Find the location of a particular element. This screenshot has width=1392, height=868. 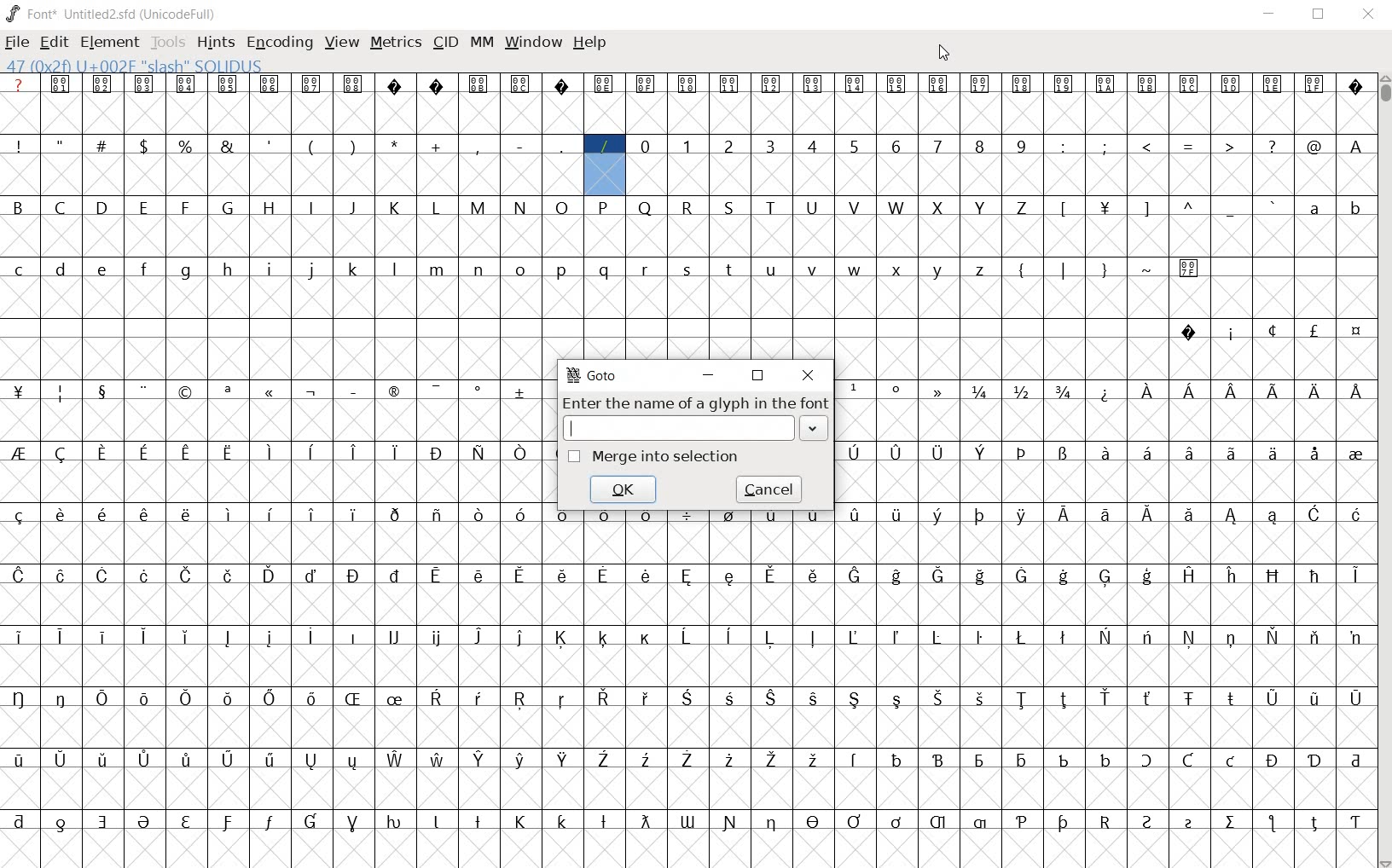

glyph is located at coordinates (855, 270).